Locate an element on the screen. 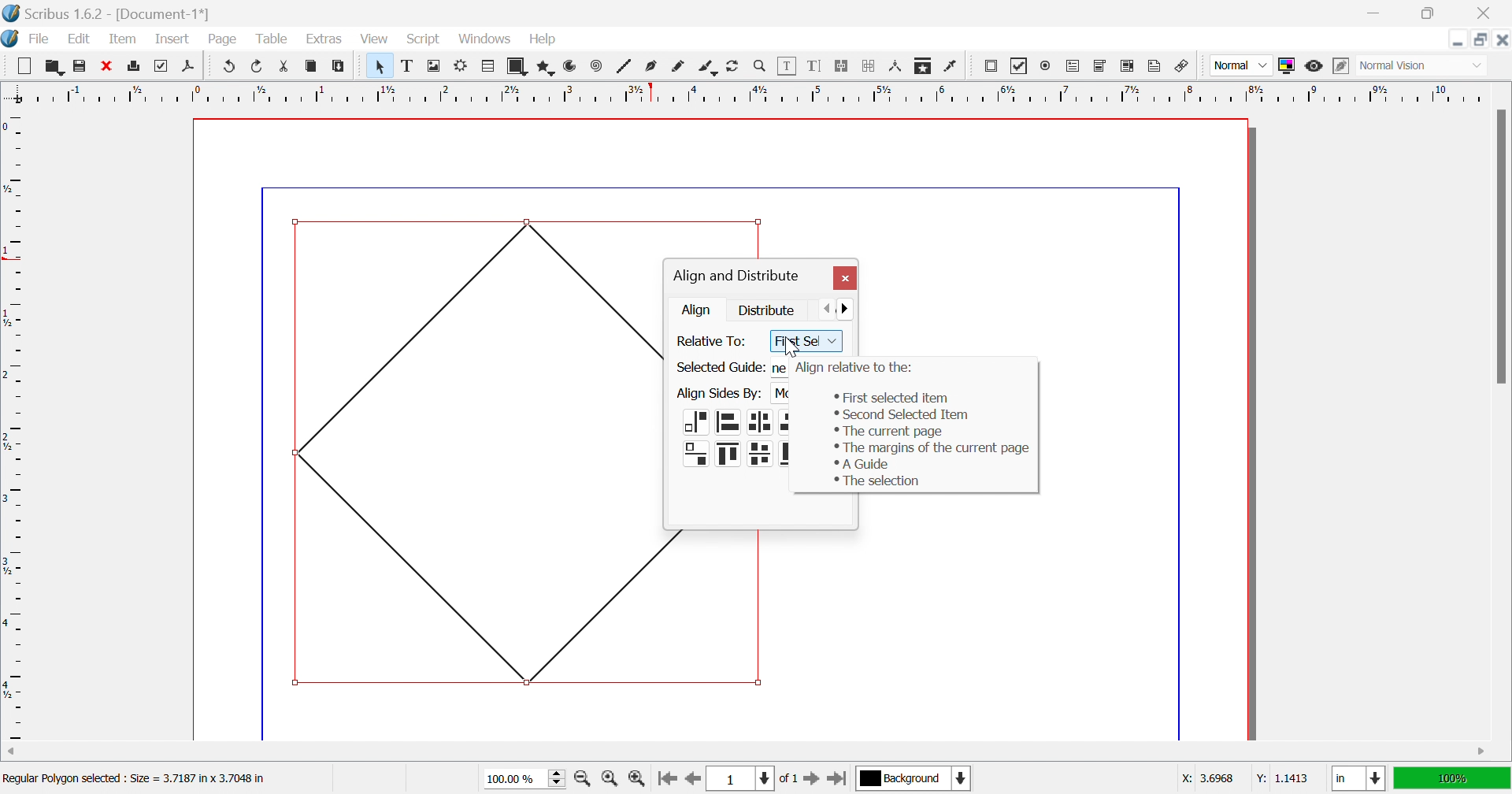 The height and width of the screenshot is (794, 1512). Polygon is located at coordinates (547, 68).